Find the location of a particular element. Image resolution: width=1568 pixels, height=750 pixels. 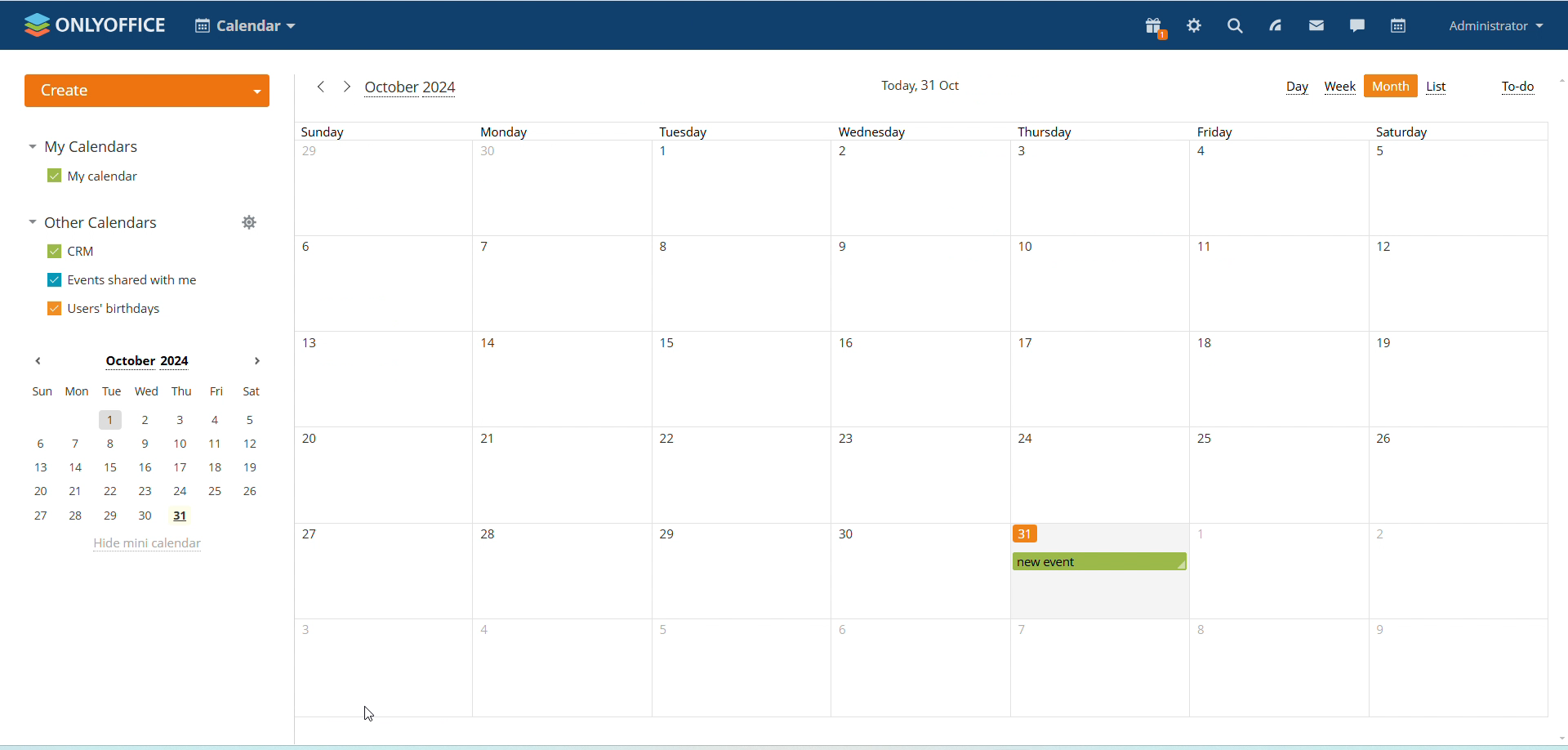

Sunday is located at coordinates (382, 419).